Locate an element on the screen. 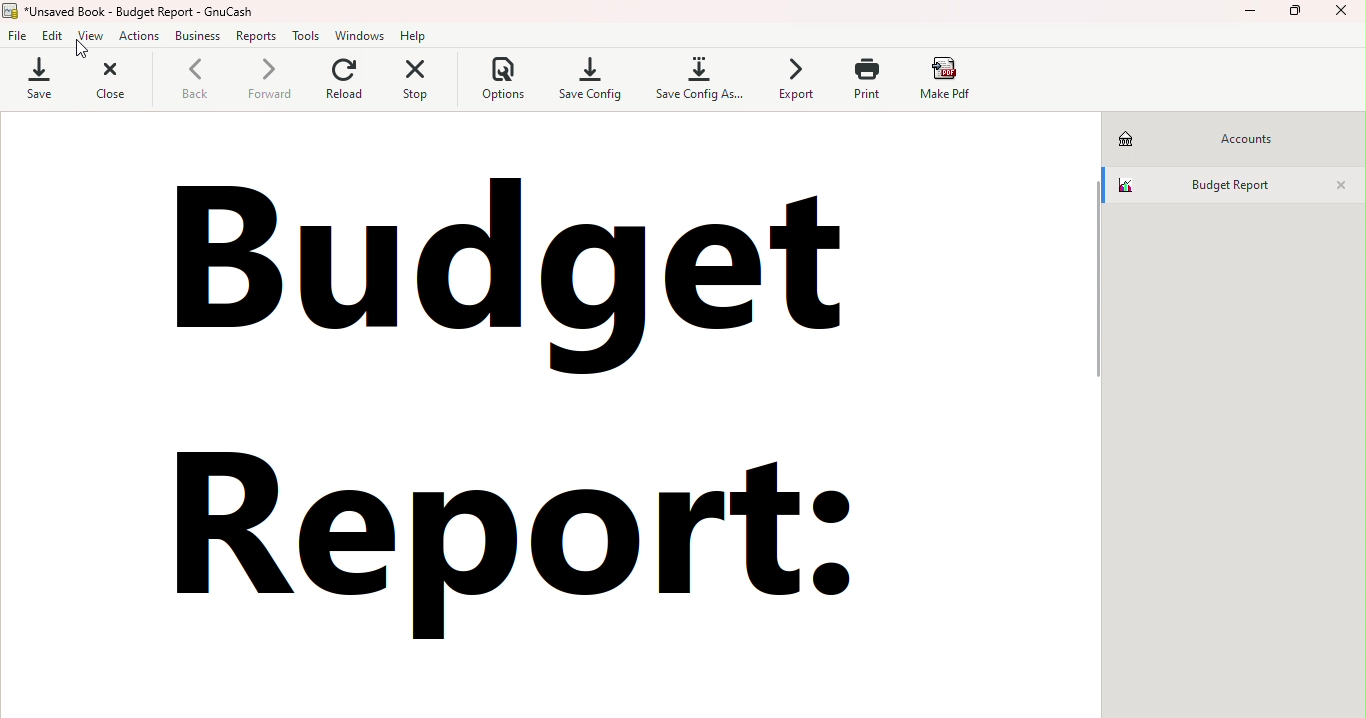 The height and width of the screenshot is (718, 1366). Business is located at coordinates (200, 38).